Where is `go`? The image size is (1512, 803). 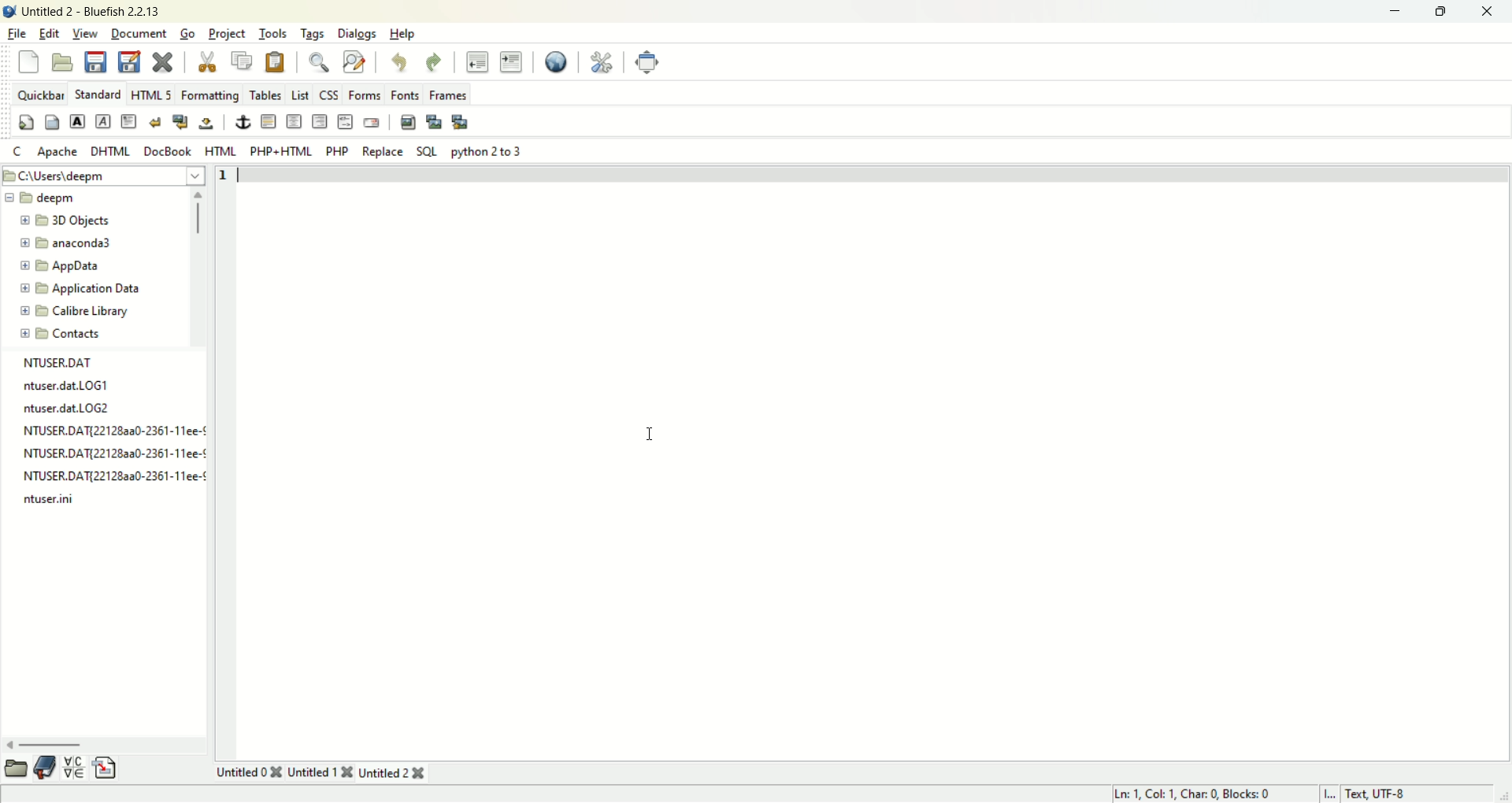 go is located at coordinates (187, 31).